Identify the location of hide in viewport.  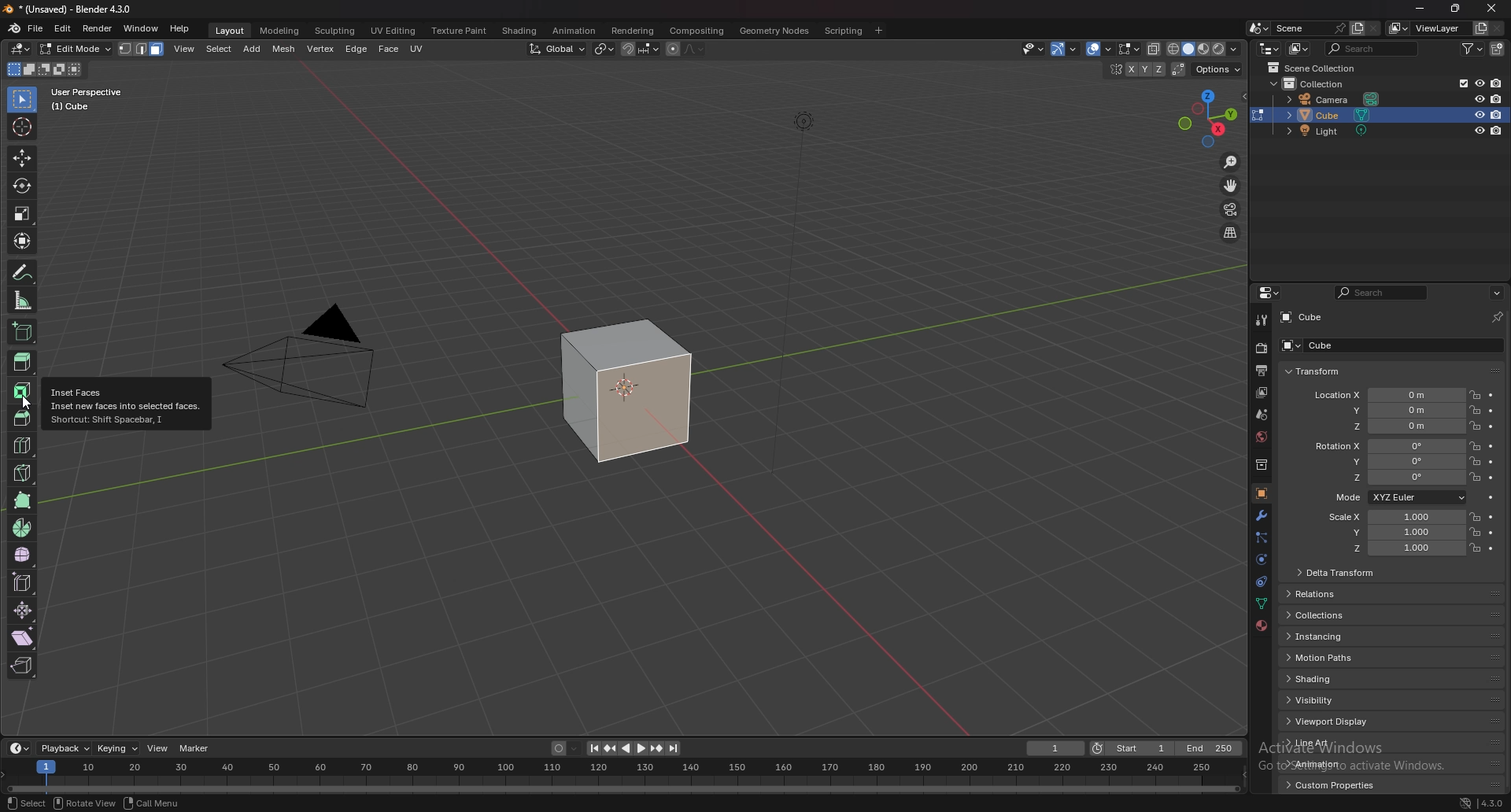
(1479, 97).